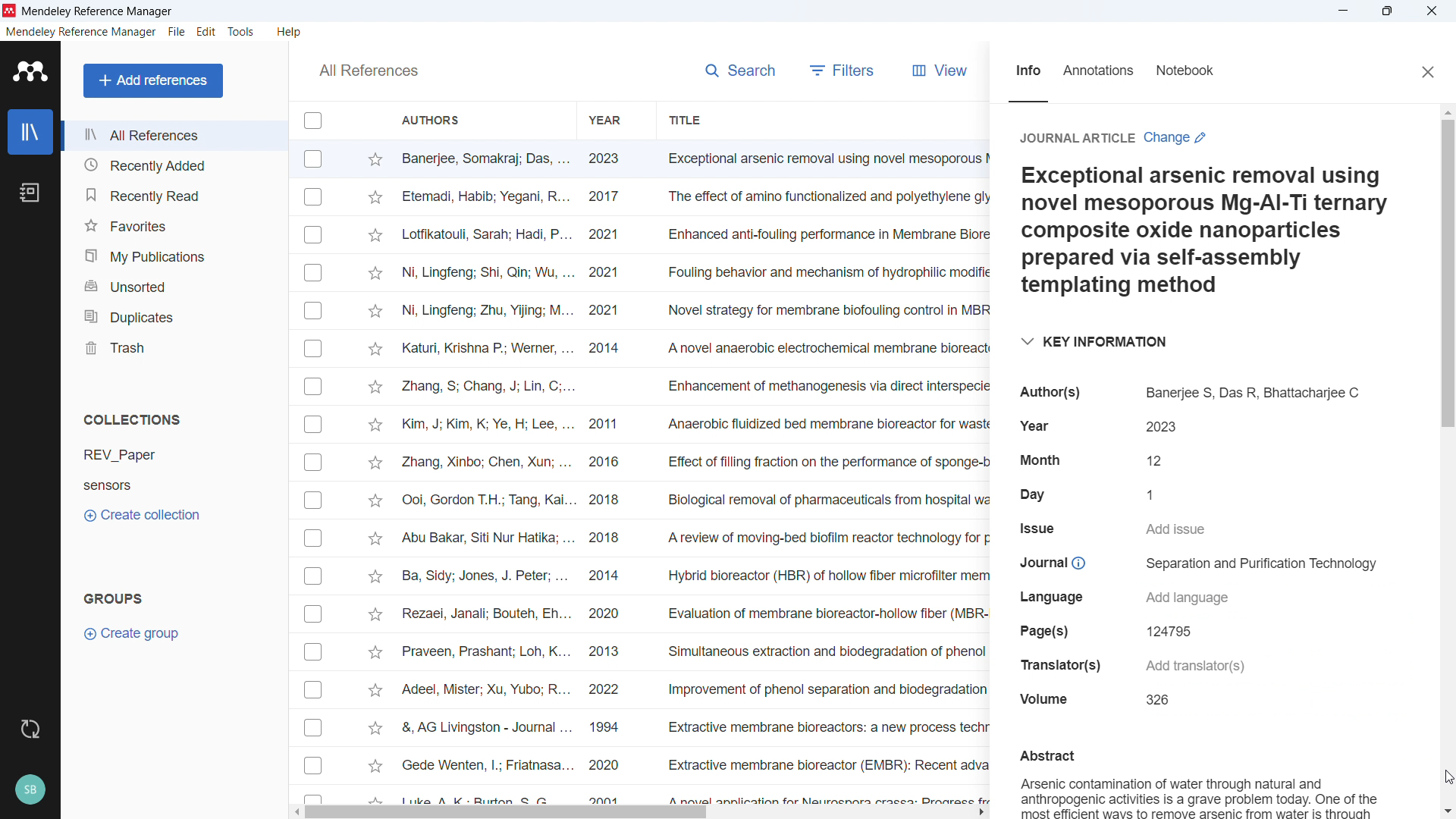  What do you see at coordinates (131, 454) in the screenshot?
I see `rev_paper` at bounding box center [131, 454].